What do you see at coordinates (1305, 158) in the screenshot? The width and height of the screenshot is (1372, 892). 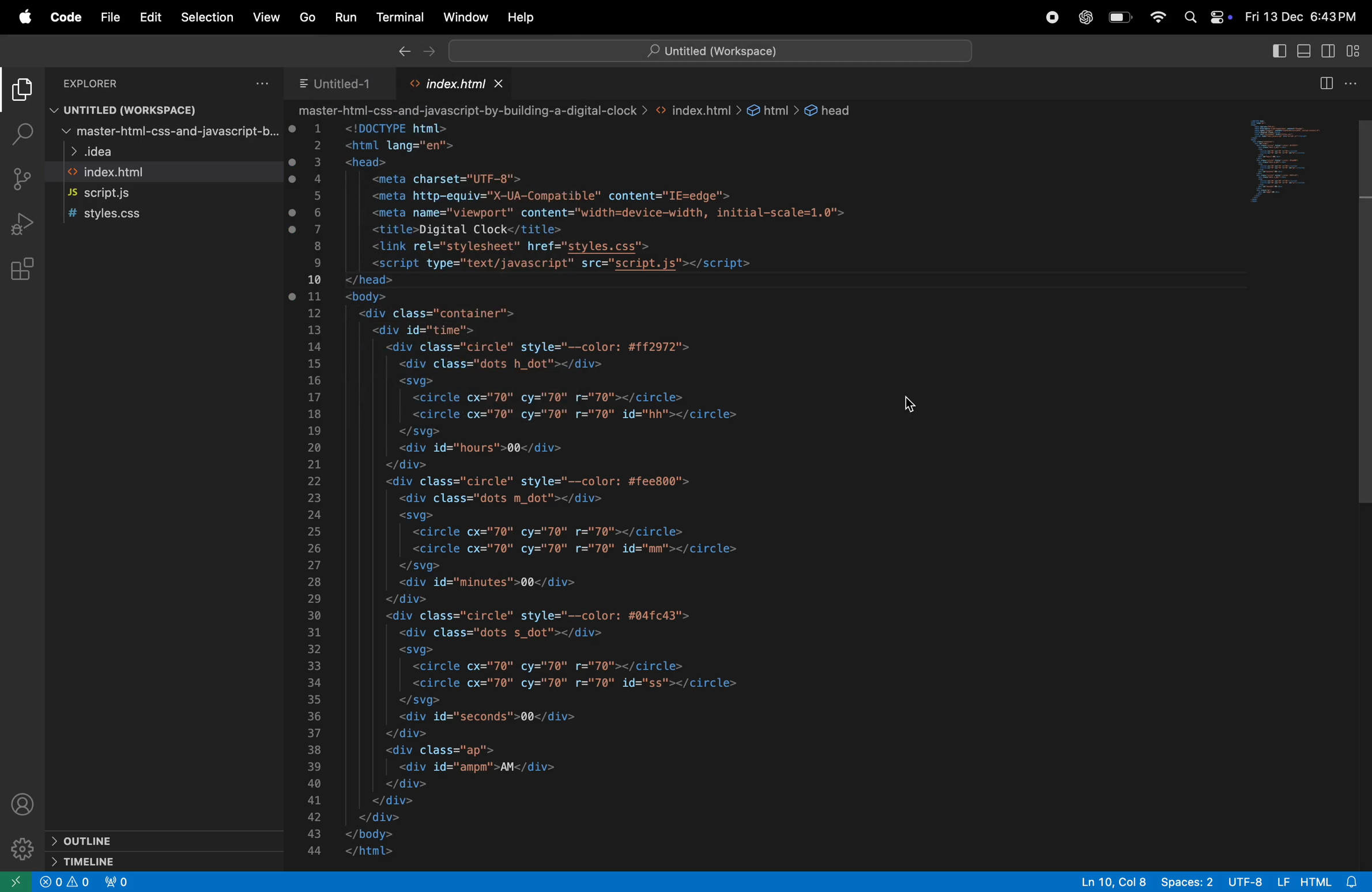 I see `code window` at bounding box center [1305, 158].